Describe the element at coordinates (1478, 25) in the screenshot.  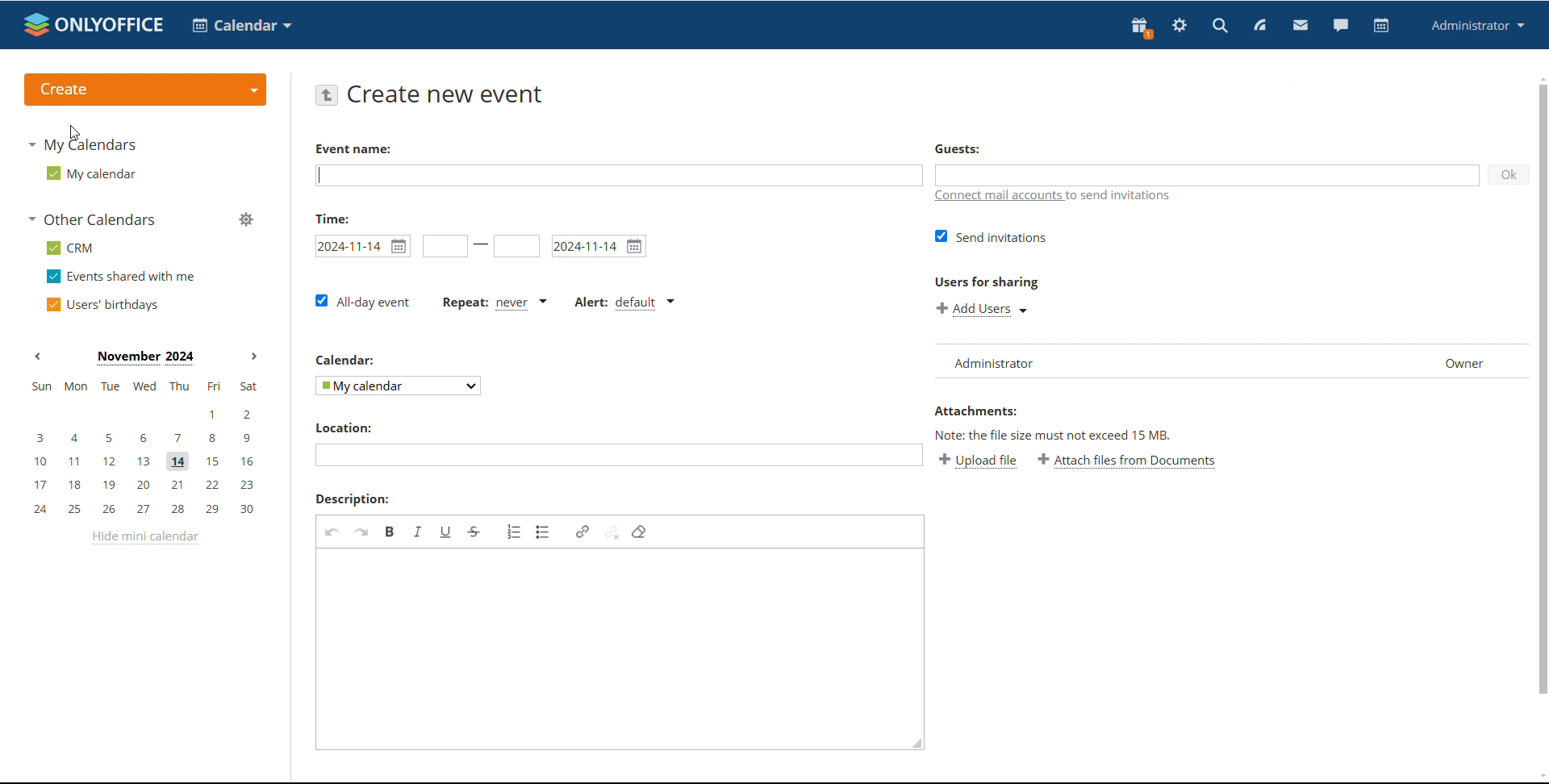
I see `profile` at that location.